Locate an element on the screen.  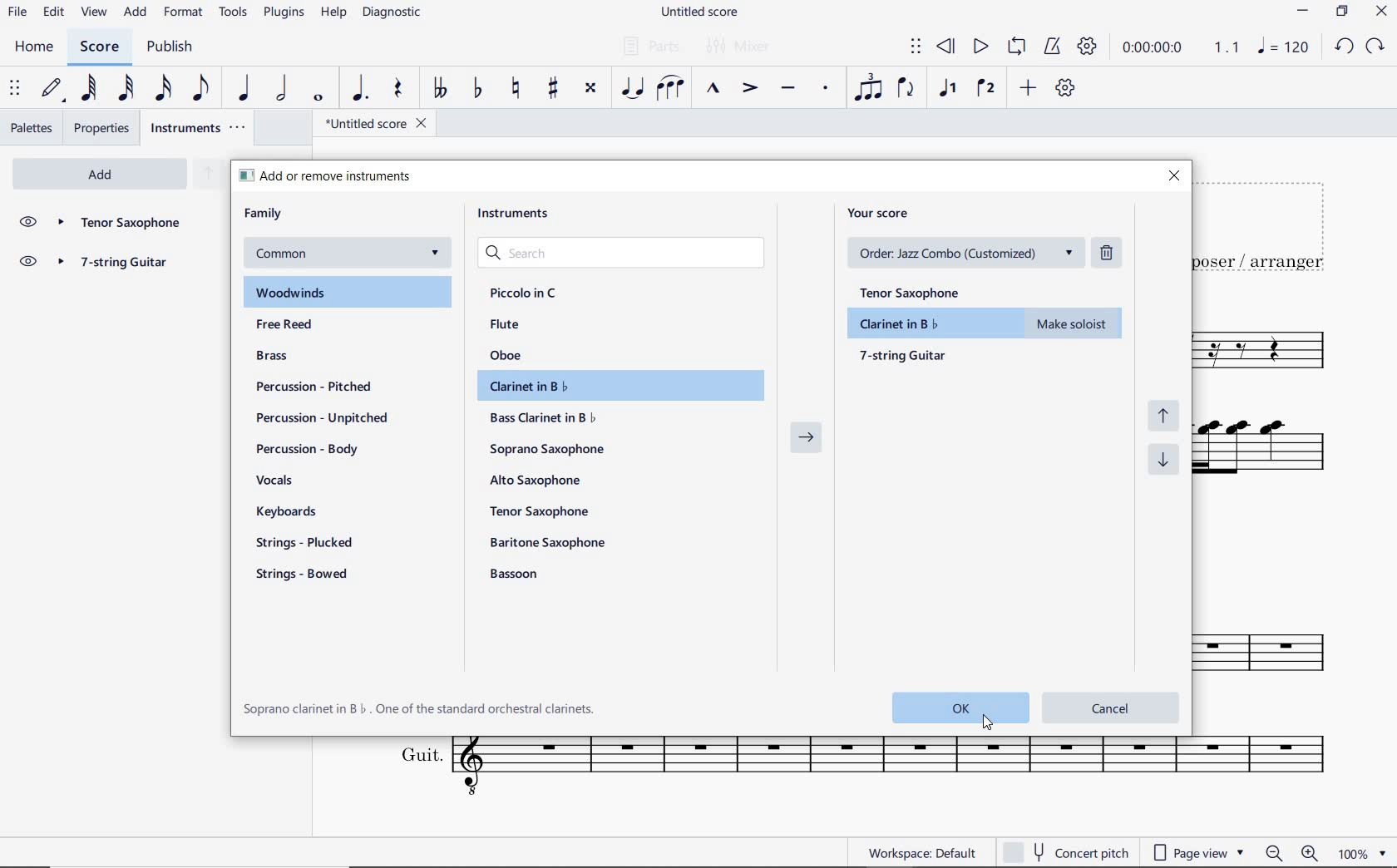
move selected instrument up is located at coordinates (1168, 414).